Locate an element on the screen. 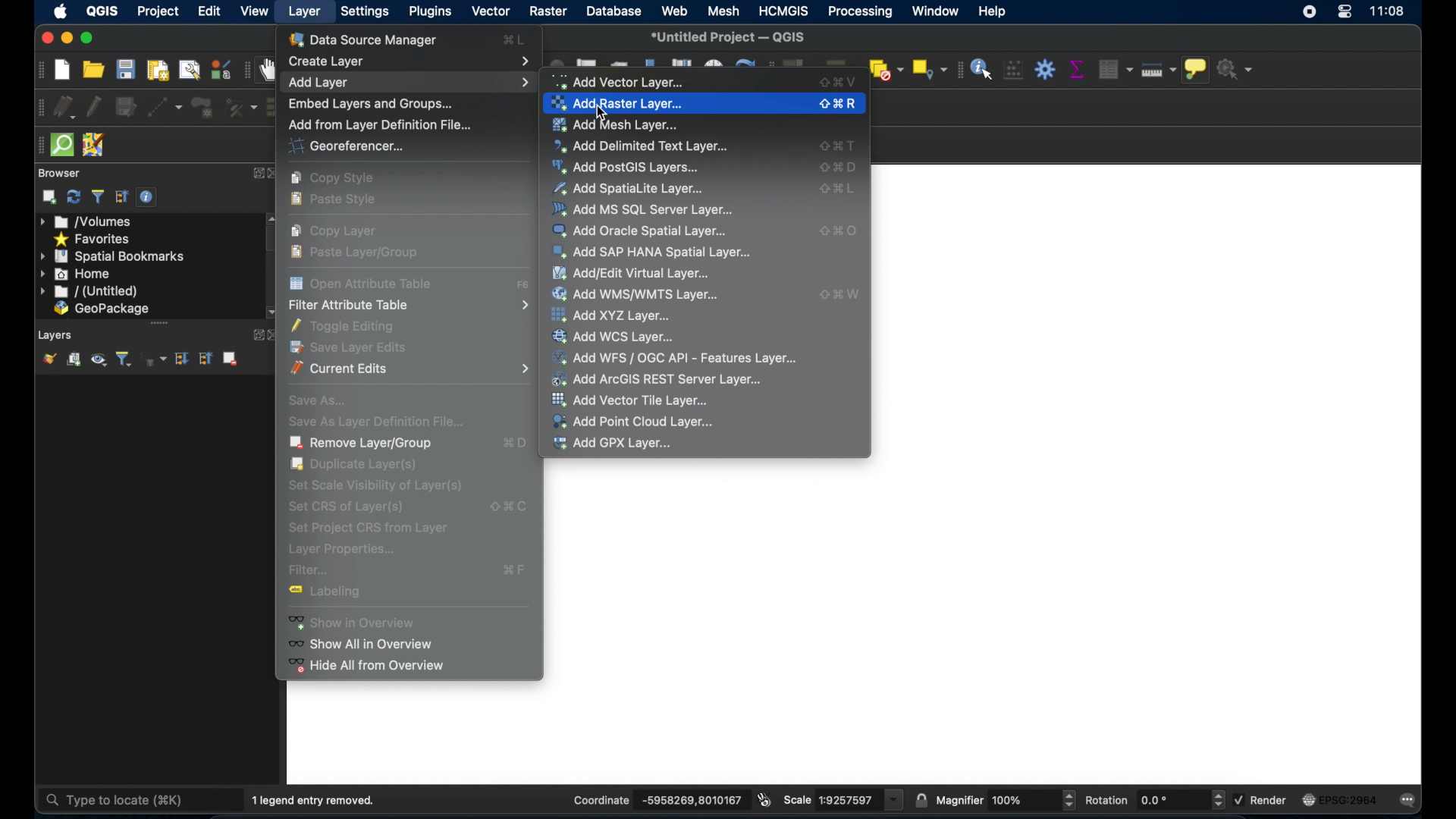  refresh is located at coordinates (74, 197).